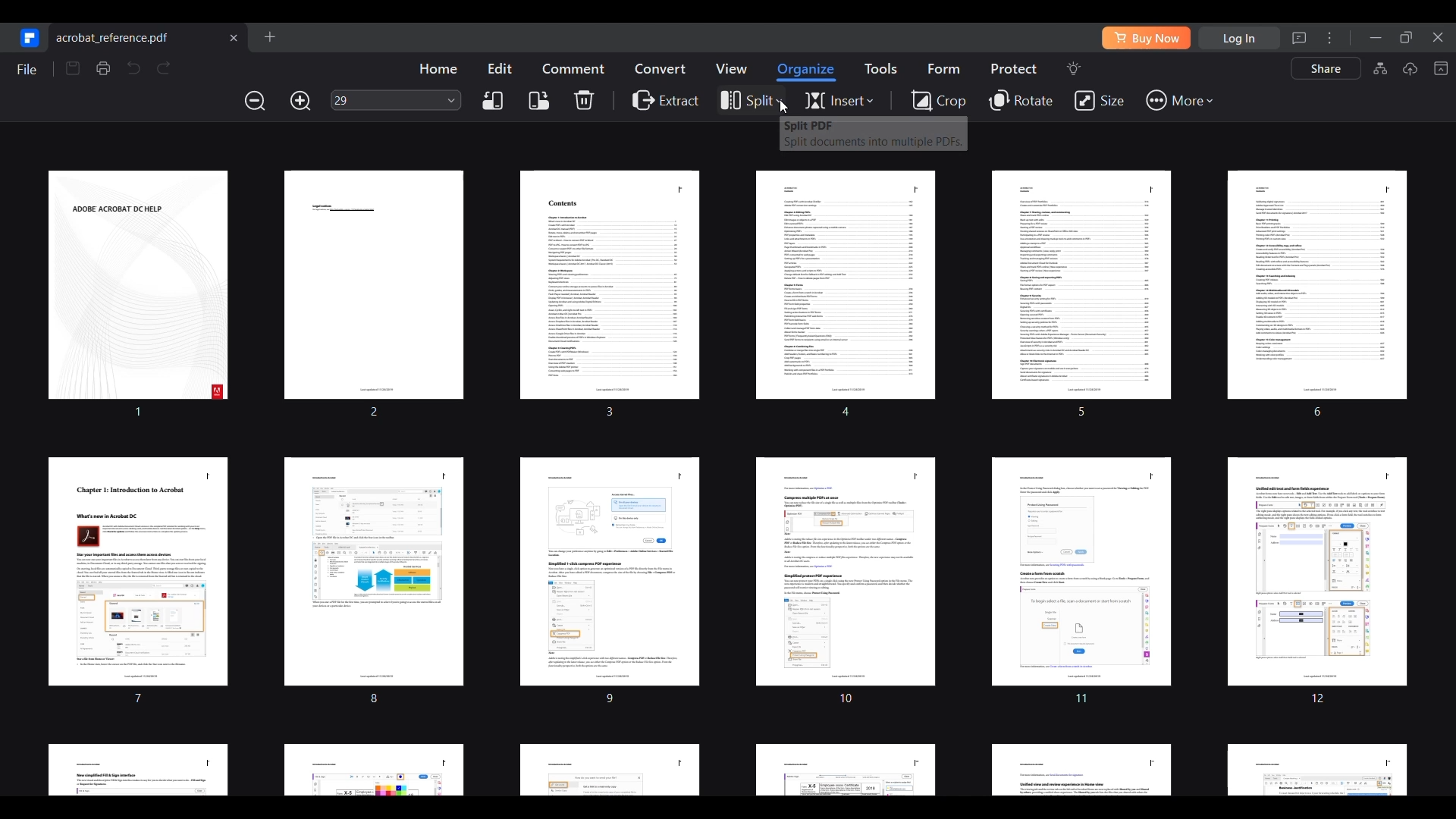 The width and height of the screenshot is (1456, 819). What do you see at coordinates (27, 37) in the screenshot?
I see `Go to start page` at bounding box center [27, 37].